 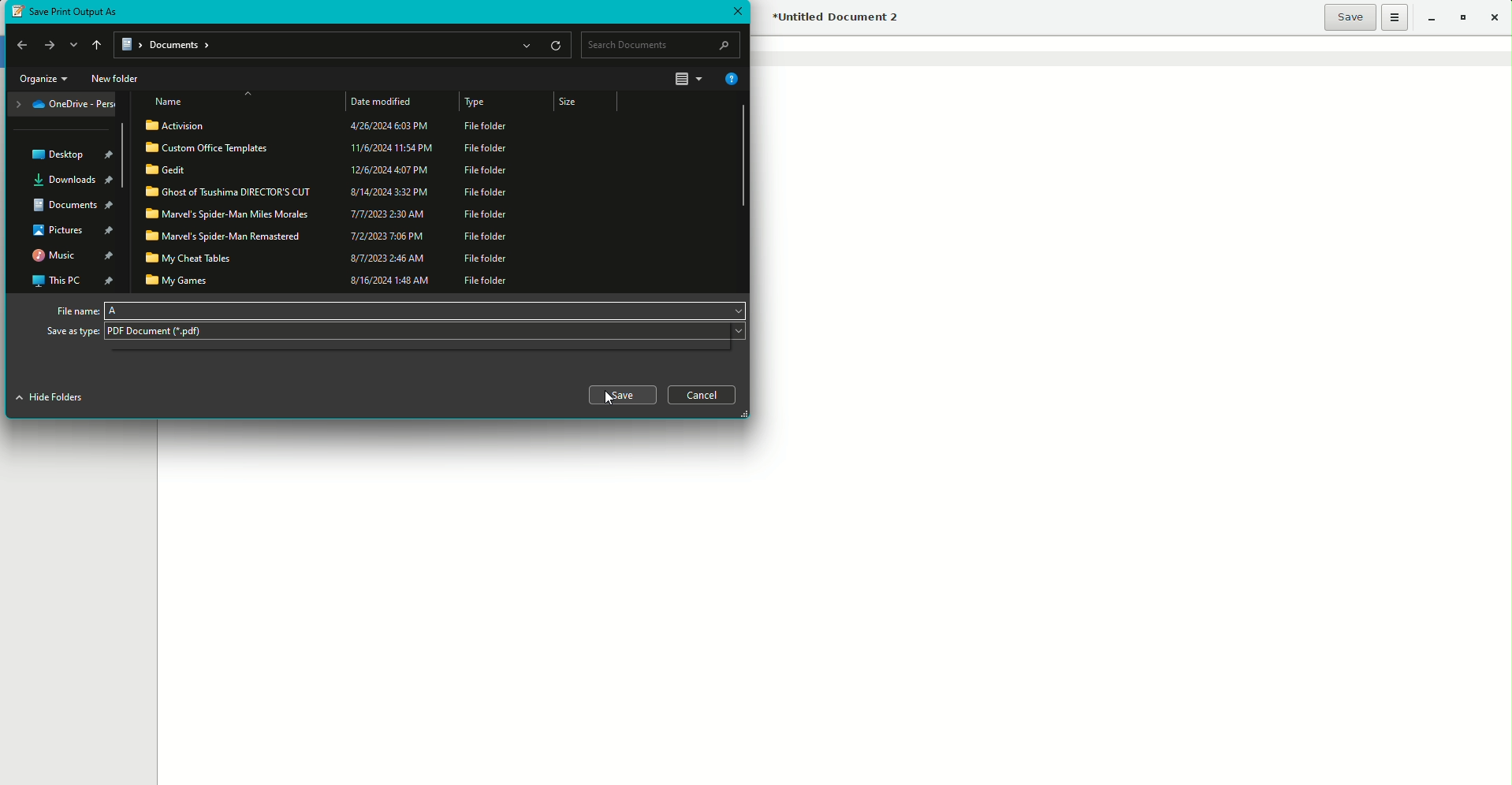 What do you see at coordinates (73, 46) in the screenshot?
I see `Move down` at bounding box center [73, 46].